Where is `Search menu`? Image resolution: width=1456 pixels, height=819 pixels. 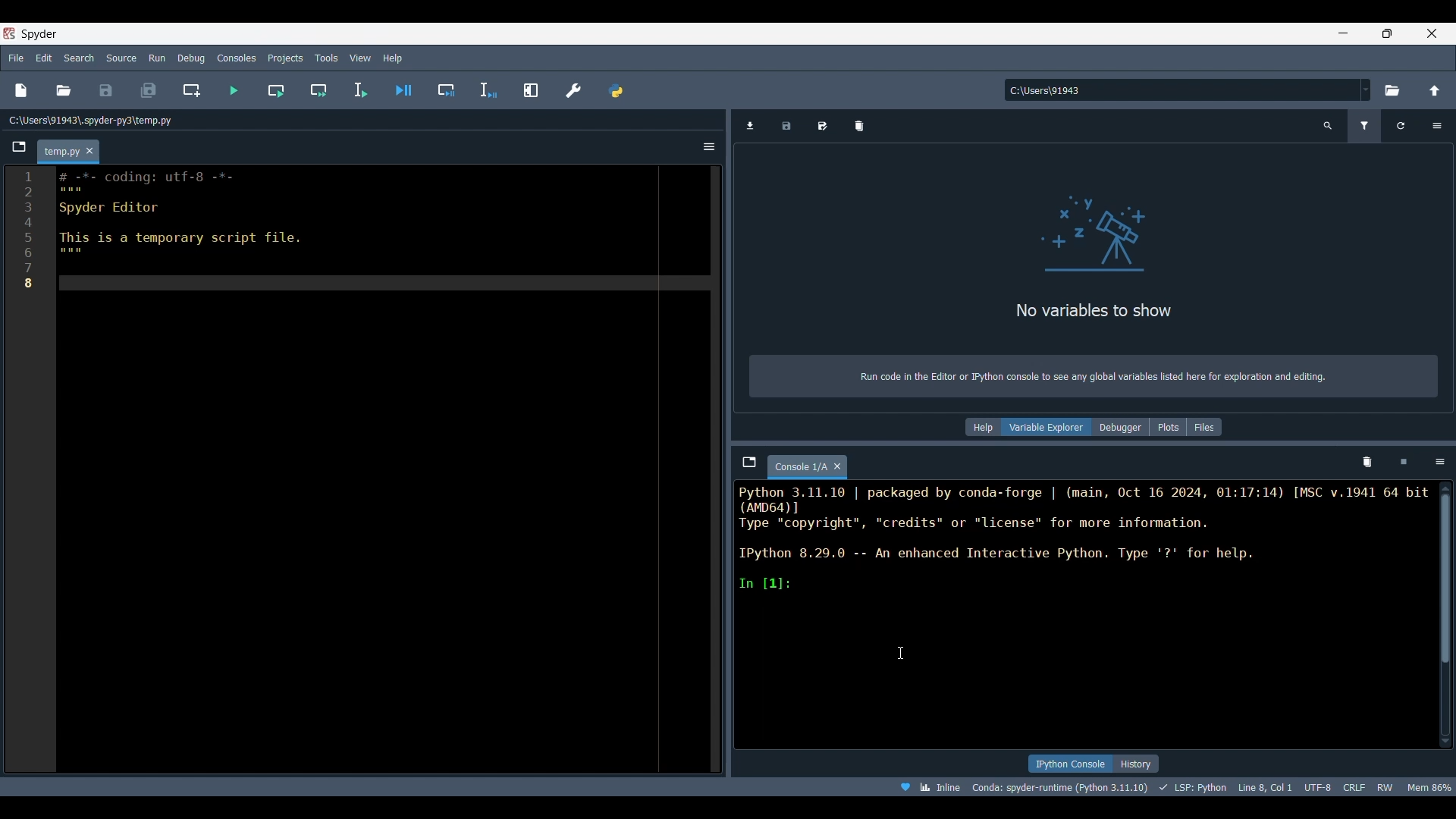 Search menu is located at coordinates (80, 58).